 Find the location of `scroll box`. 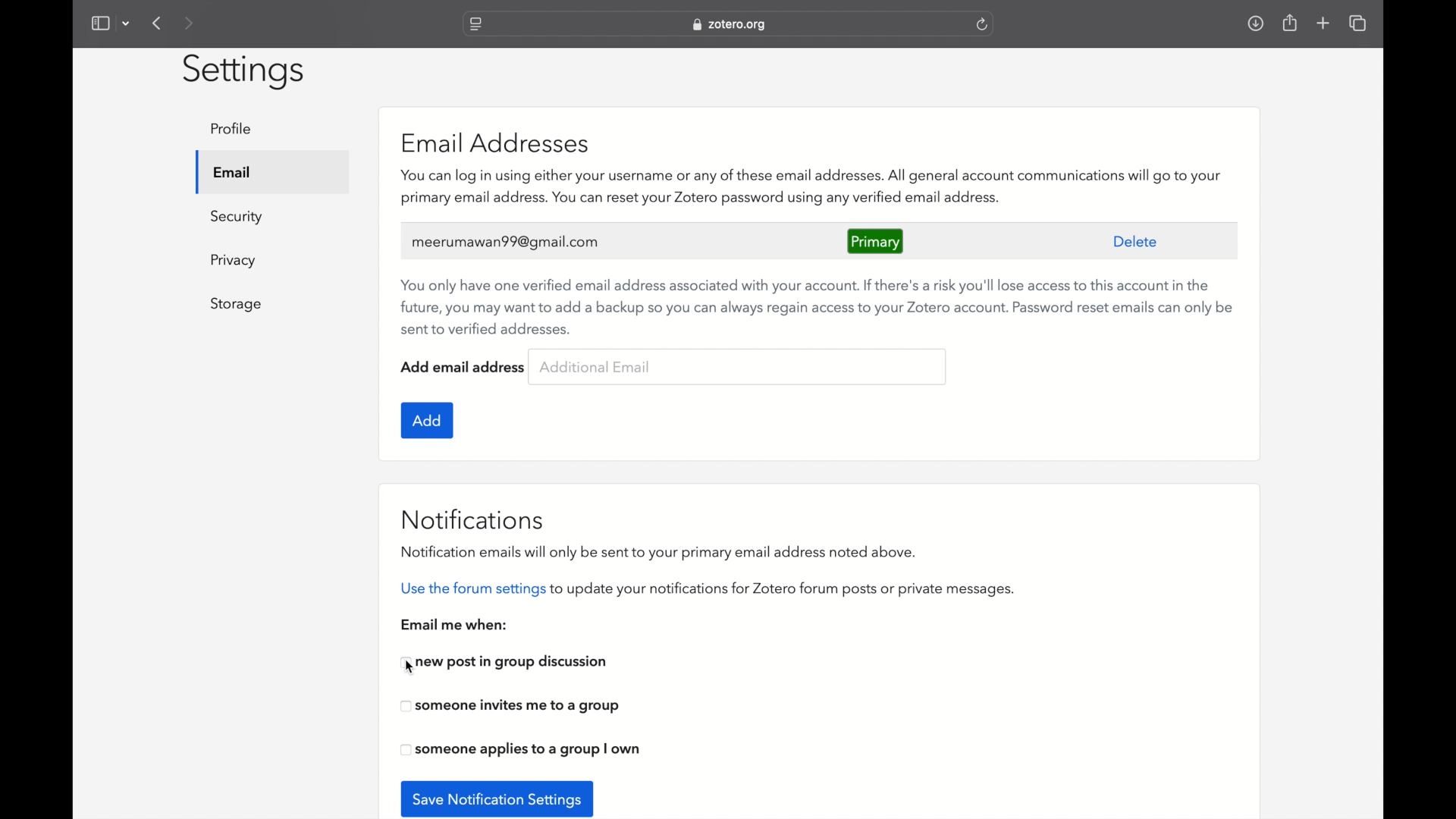

scroll box is located at coordinates (1382, 394).